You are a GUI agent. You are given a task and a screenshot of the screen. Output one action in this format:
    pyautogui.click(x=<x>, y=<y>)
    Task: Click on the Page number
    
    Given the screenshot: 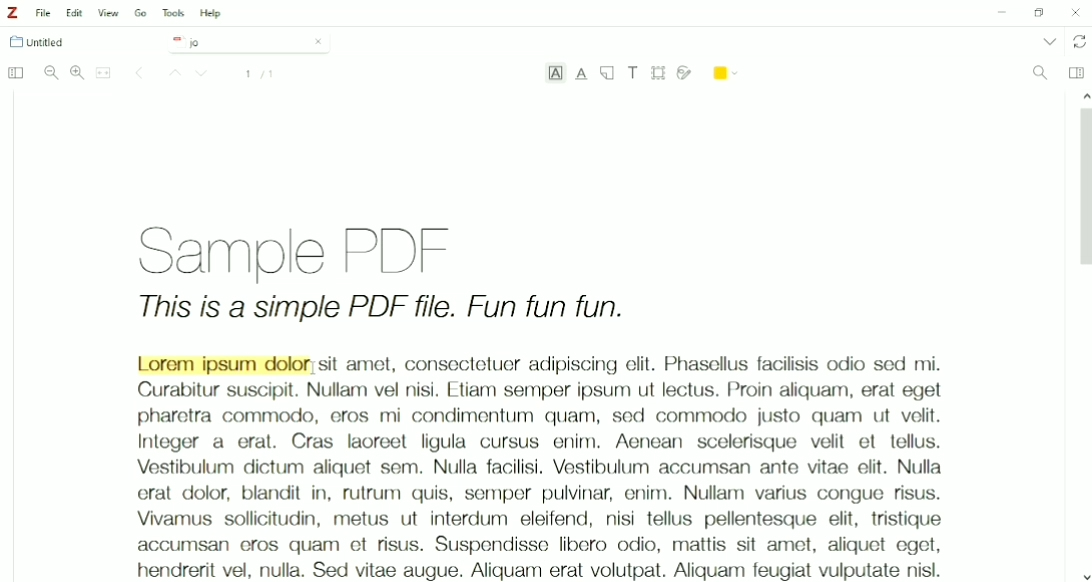 What is the action you would take?
    pyautogui.click(x=260, y=74)
    